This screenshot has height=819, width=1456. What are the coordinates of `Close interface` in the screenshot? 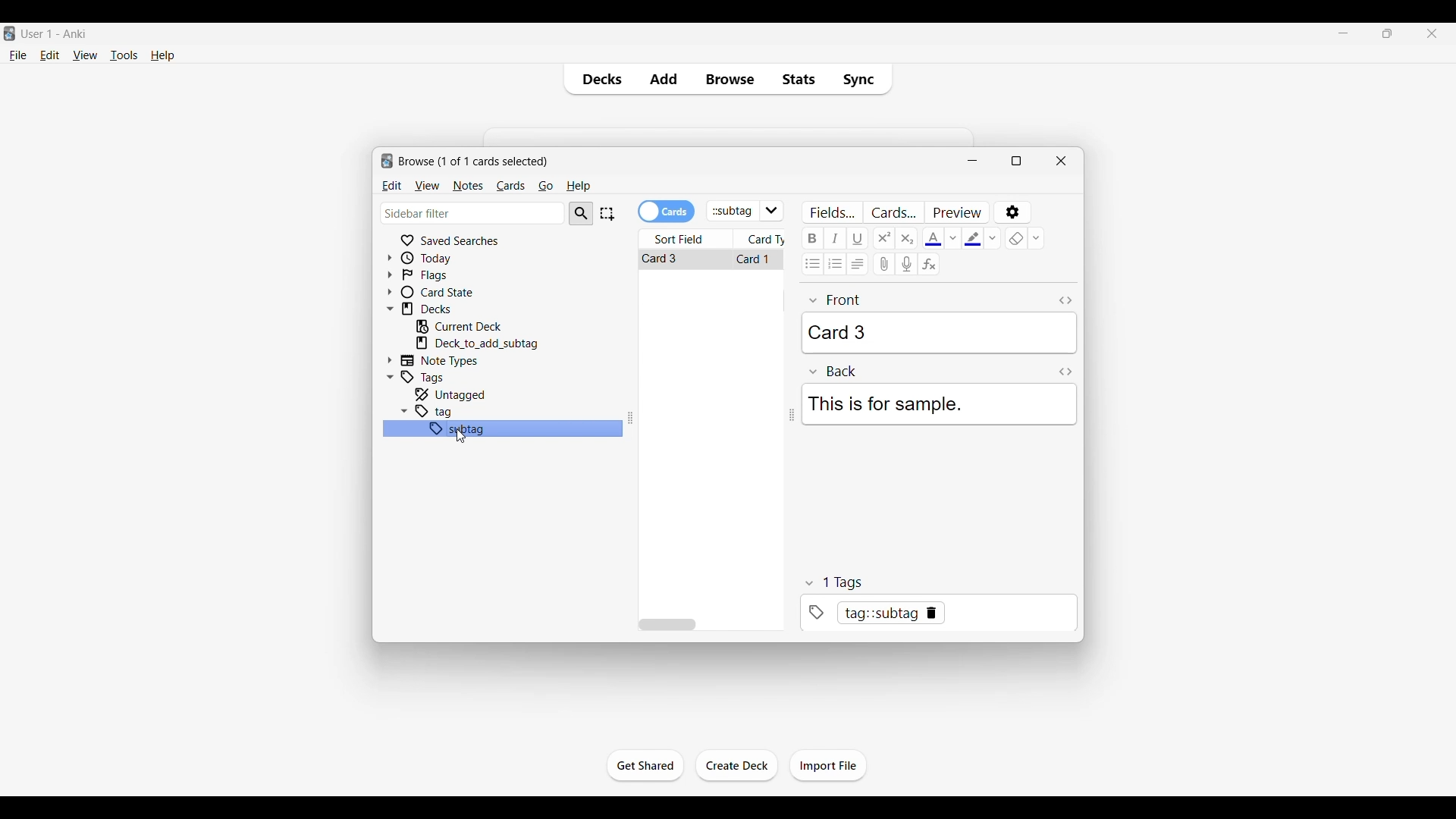 It's located at (1432, 33).